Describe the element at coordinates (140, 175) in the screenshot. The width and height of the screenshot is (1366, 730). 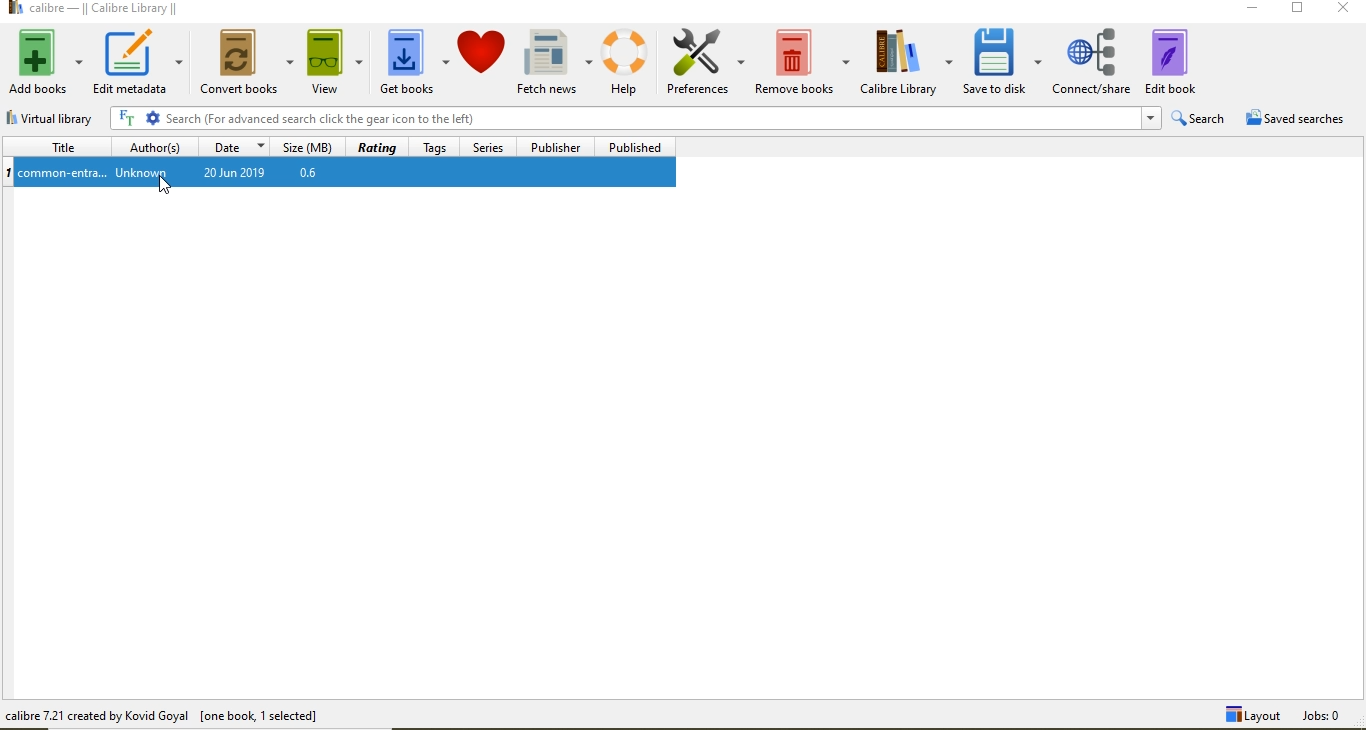
I see `Unknown` at that location.